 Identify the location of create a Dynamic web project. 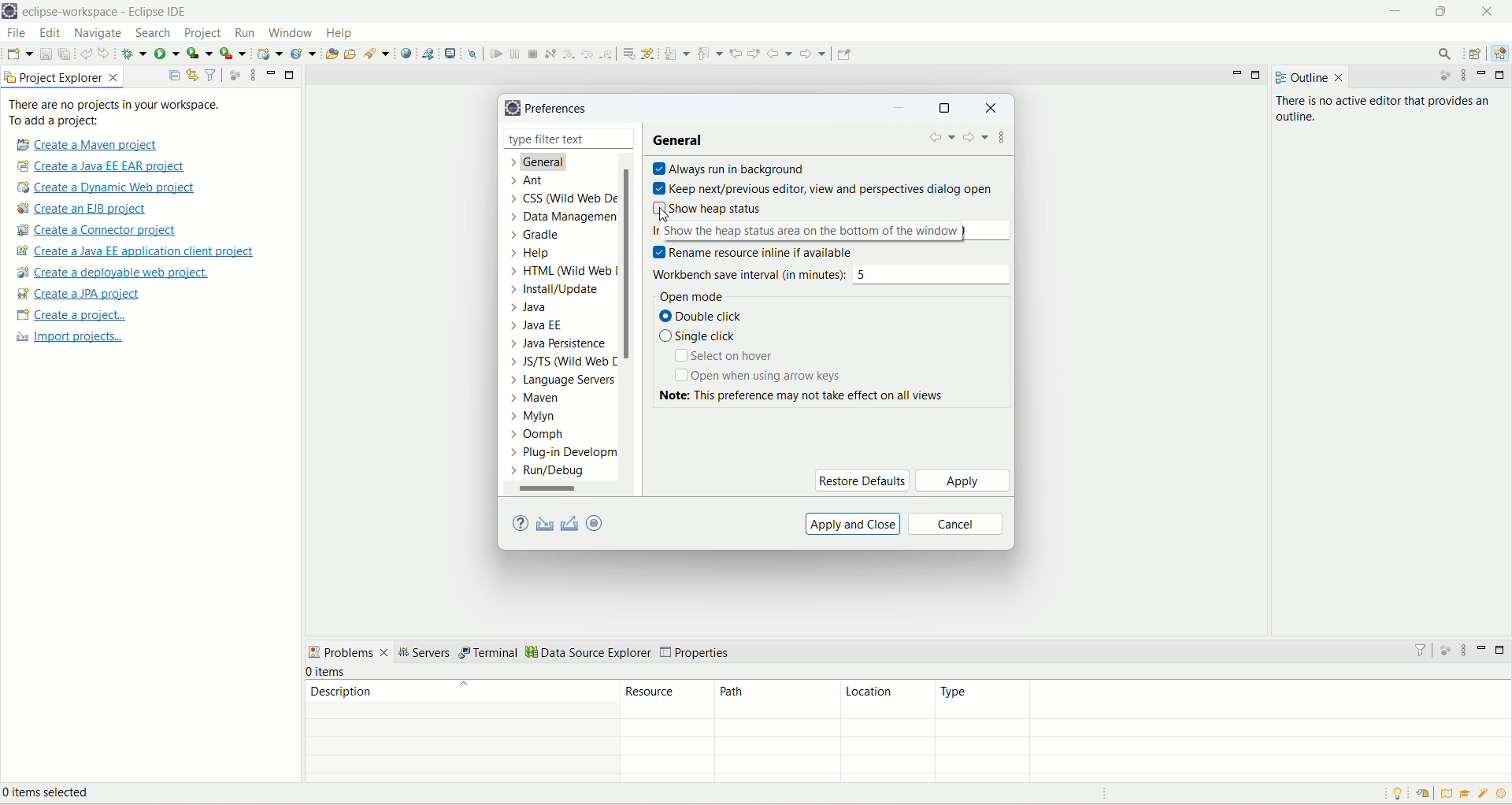
(107, 188).